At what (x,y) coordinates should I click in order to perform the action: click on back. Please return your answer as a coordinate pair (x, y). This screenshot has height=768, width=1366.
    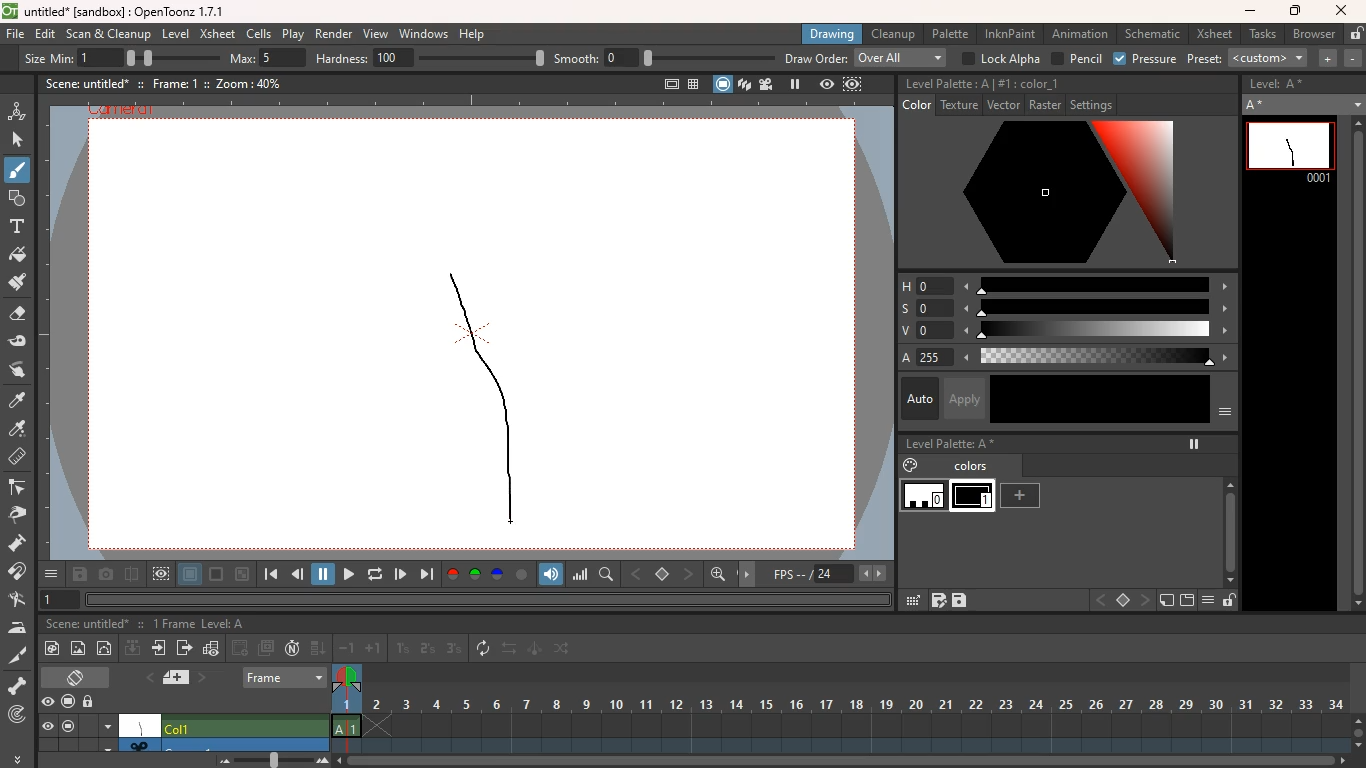
    Looking at the image, I should click on (638, 572).